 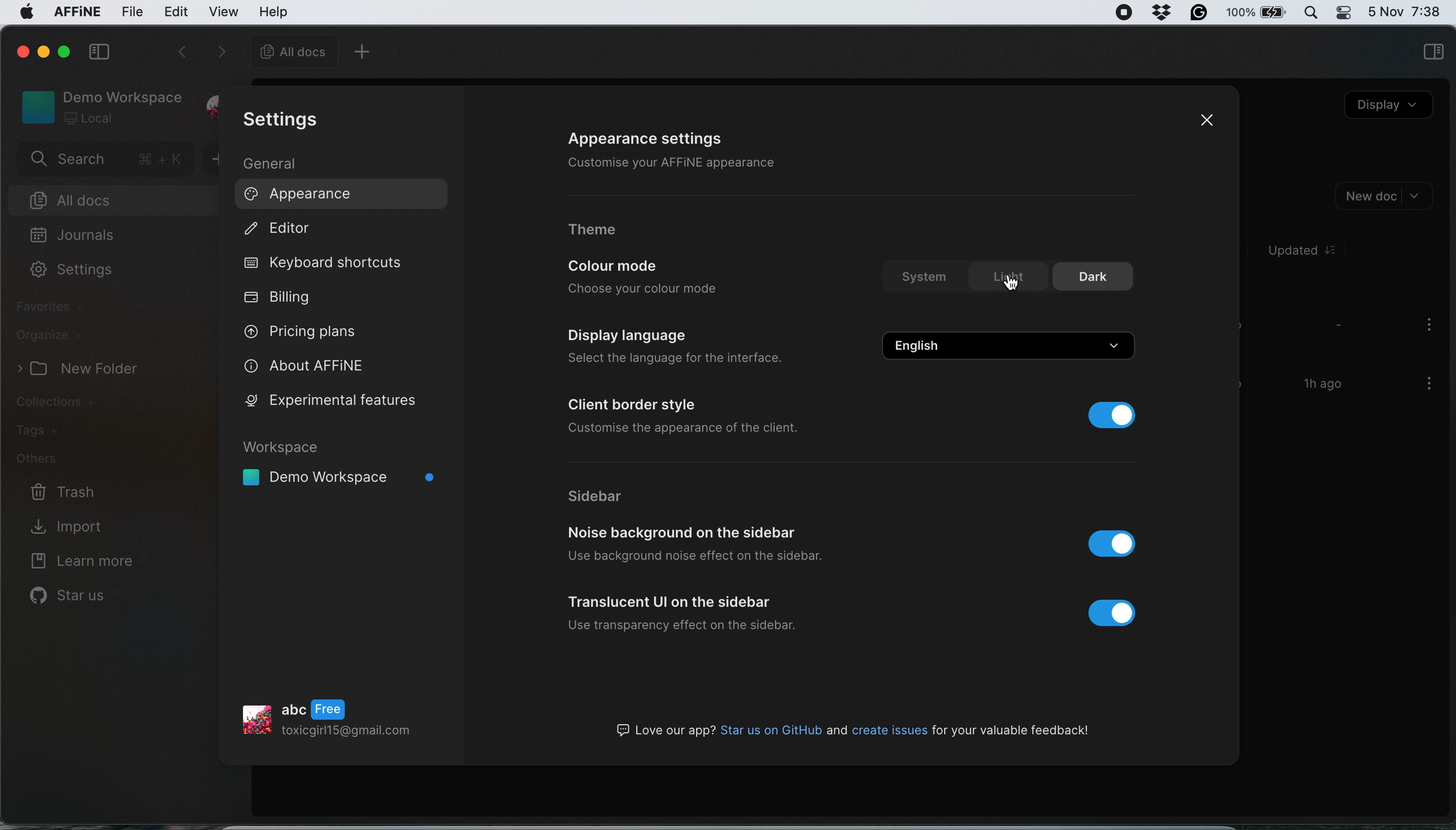 I want to click on search, so click(x=104, y=161).